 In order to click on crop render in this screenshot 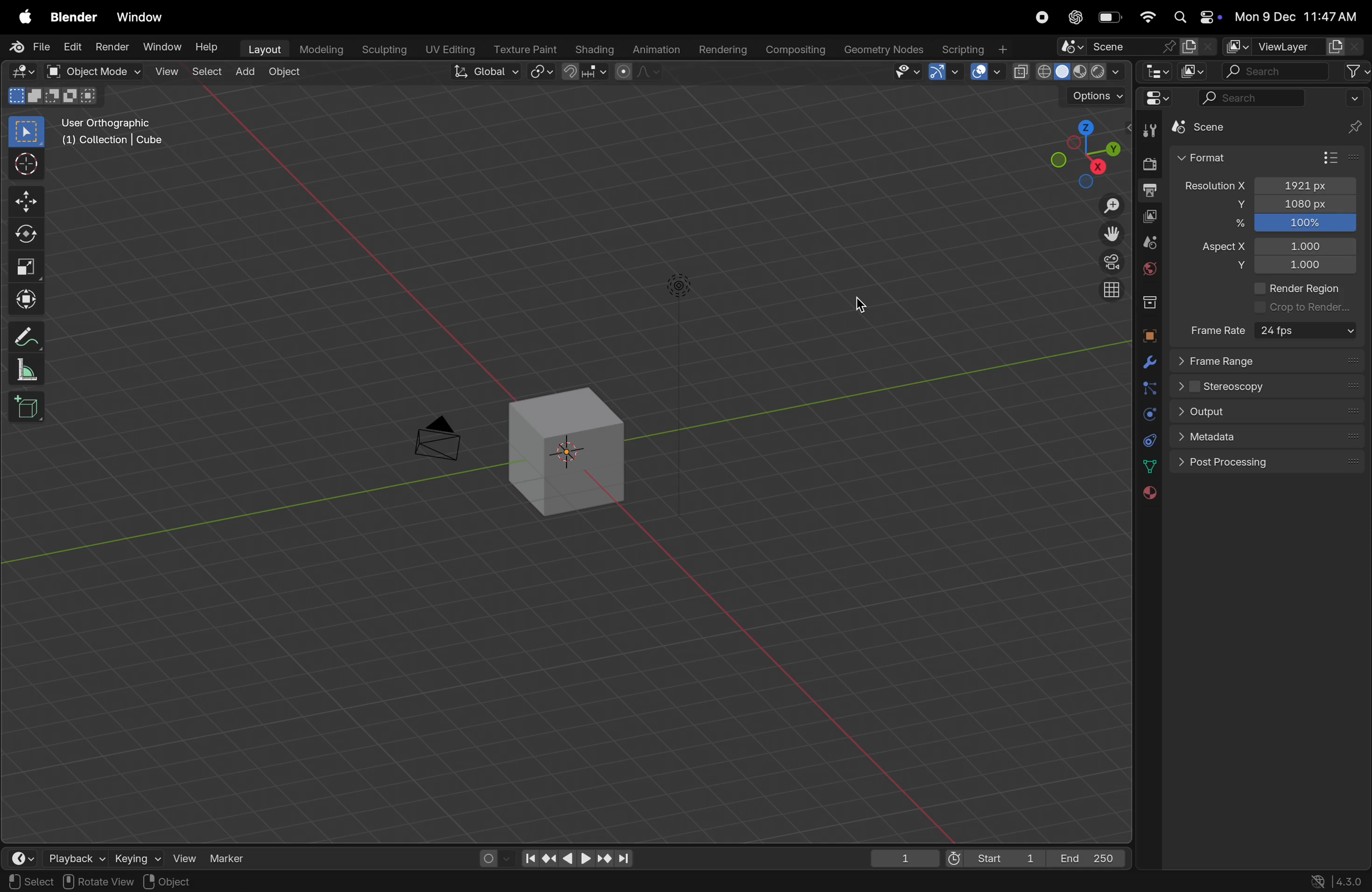, I will do `click(1303, 308)`.